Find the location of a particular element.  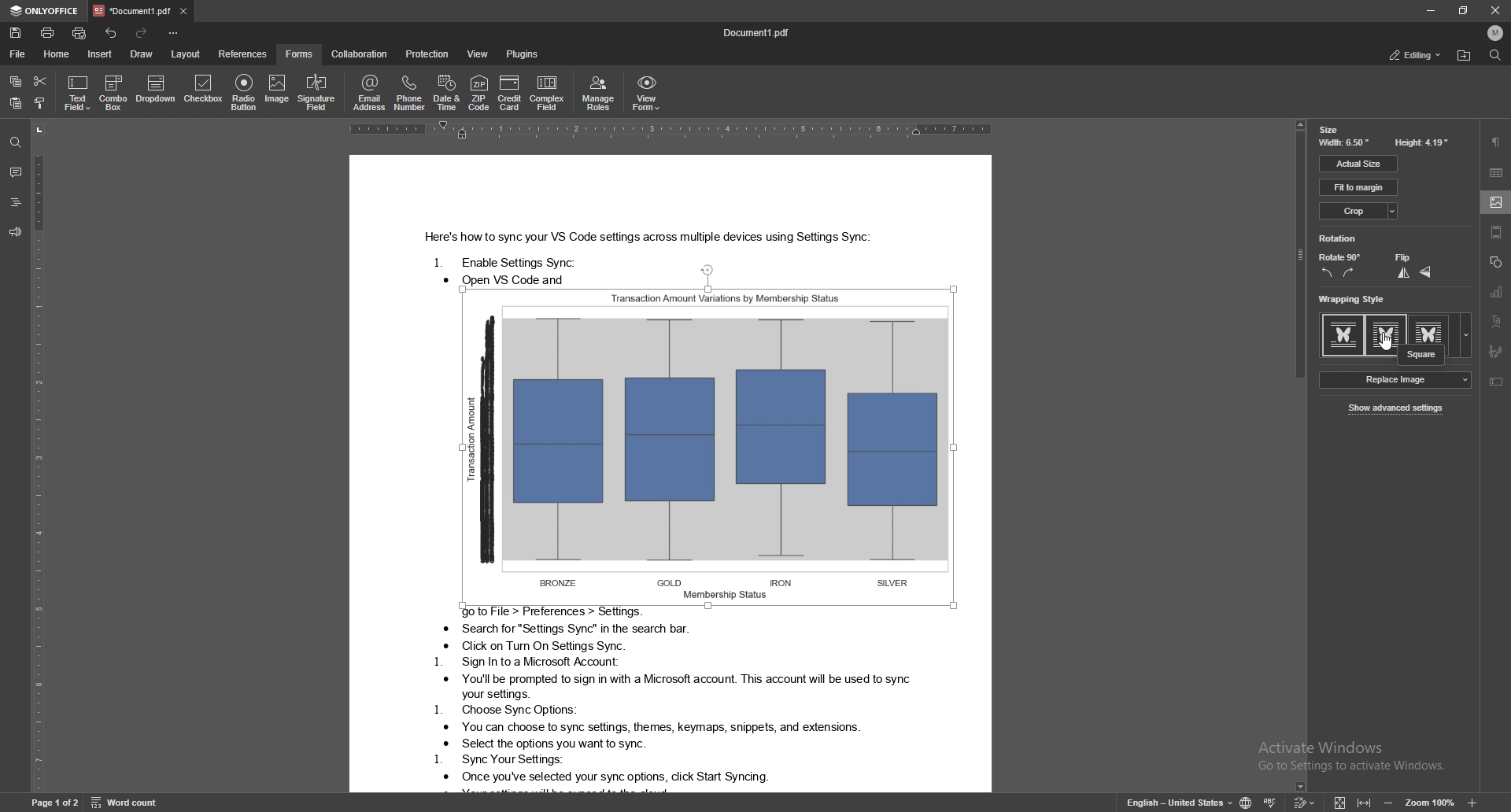

combo box is located at coordinates (113, 92).